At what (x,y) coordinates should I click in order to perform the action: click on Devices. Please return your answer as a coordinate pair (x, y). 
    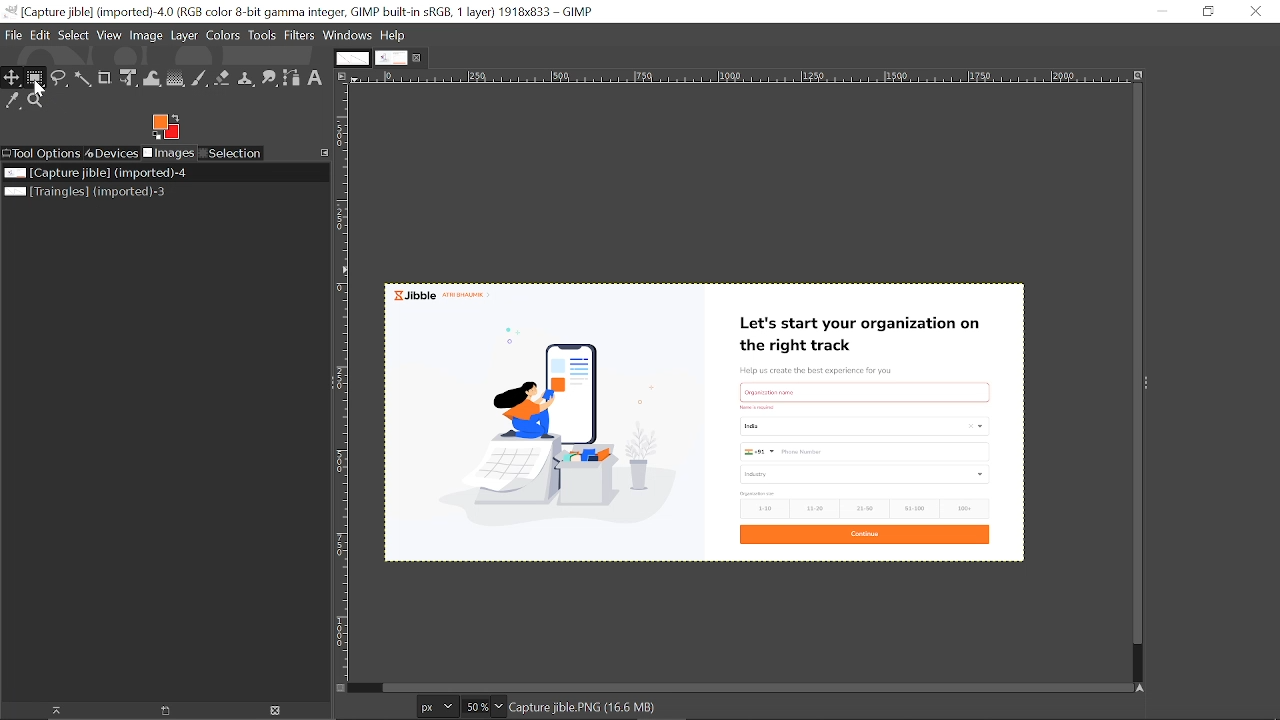
    Looking at the image, I should click on (115, 152).